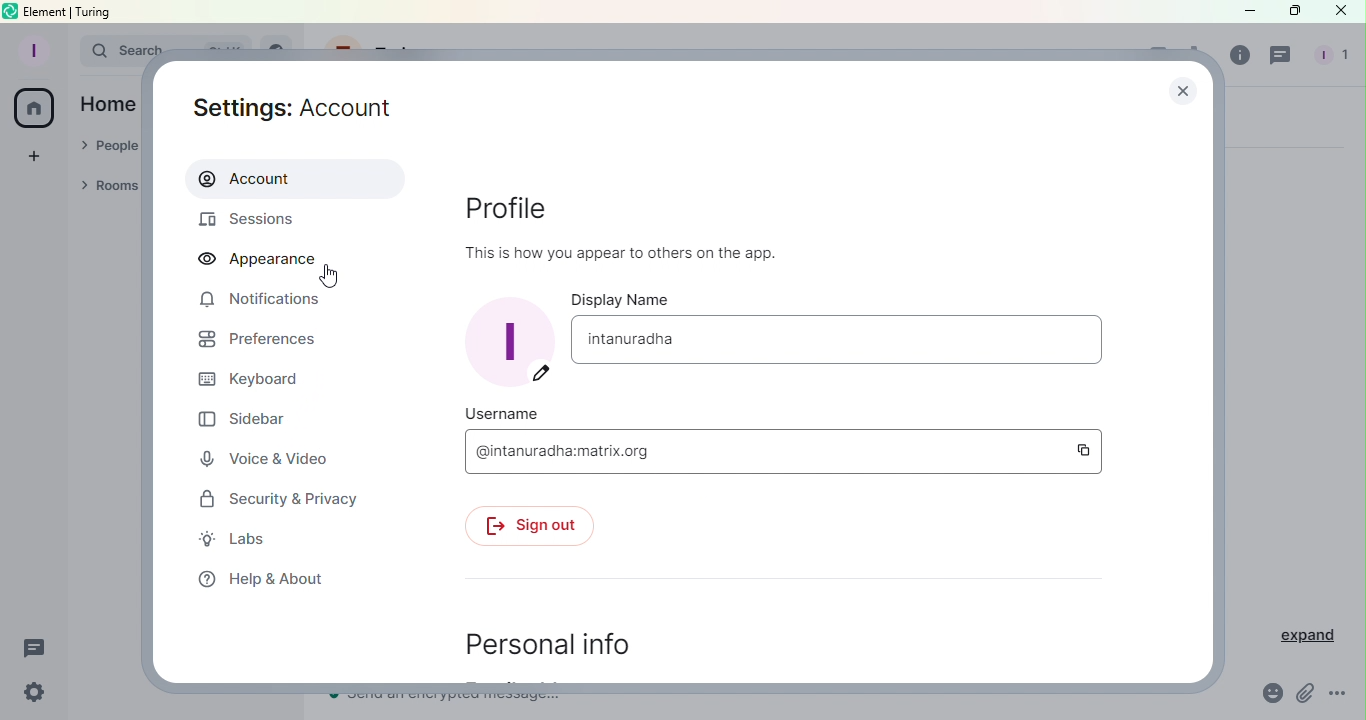 This screenshot has width=1366, height=720. I want to click on Security and privacy, so click(284, 501).